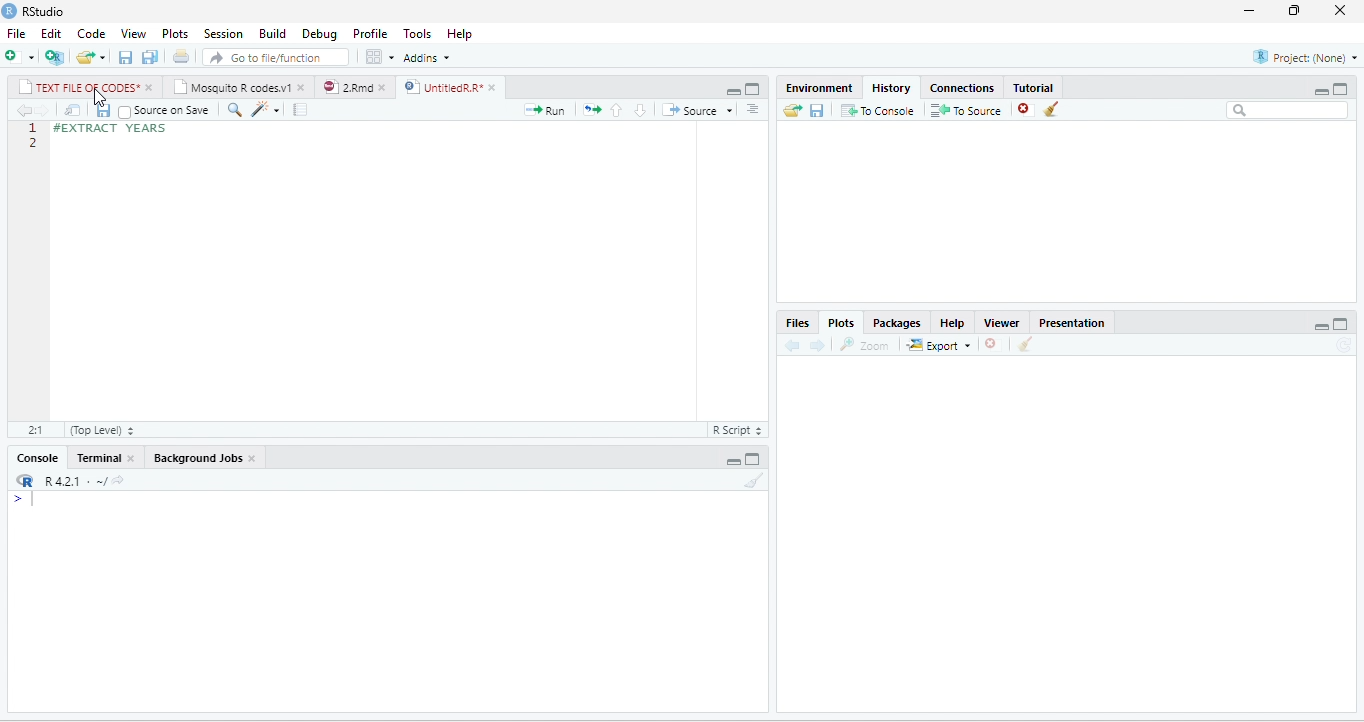  Describe the element at coordinates (385, 87) in the screenshot. I see `close` at that location.